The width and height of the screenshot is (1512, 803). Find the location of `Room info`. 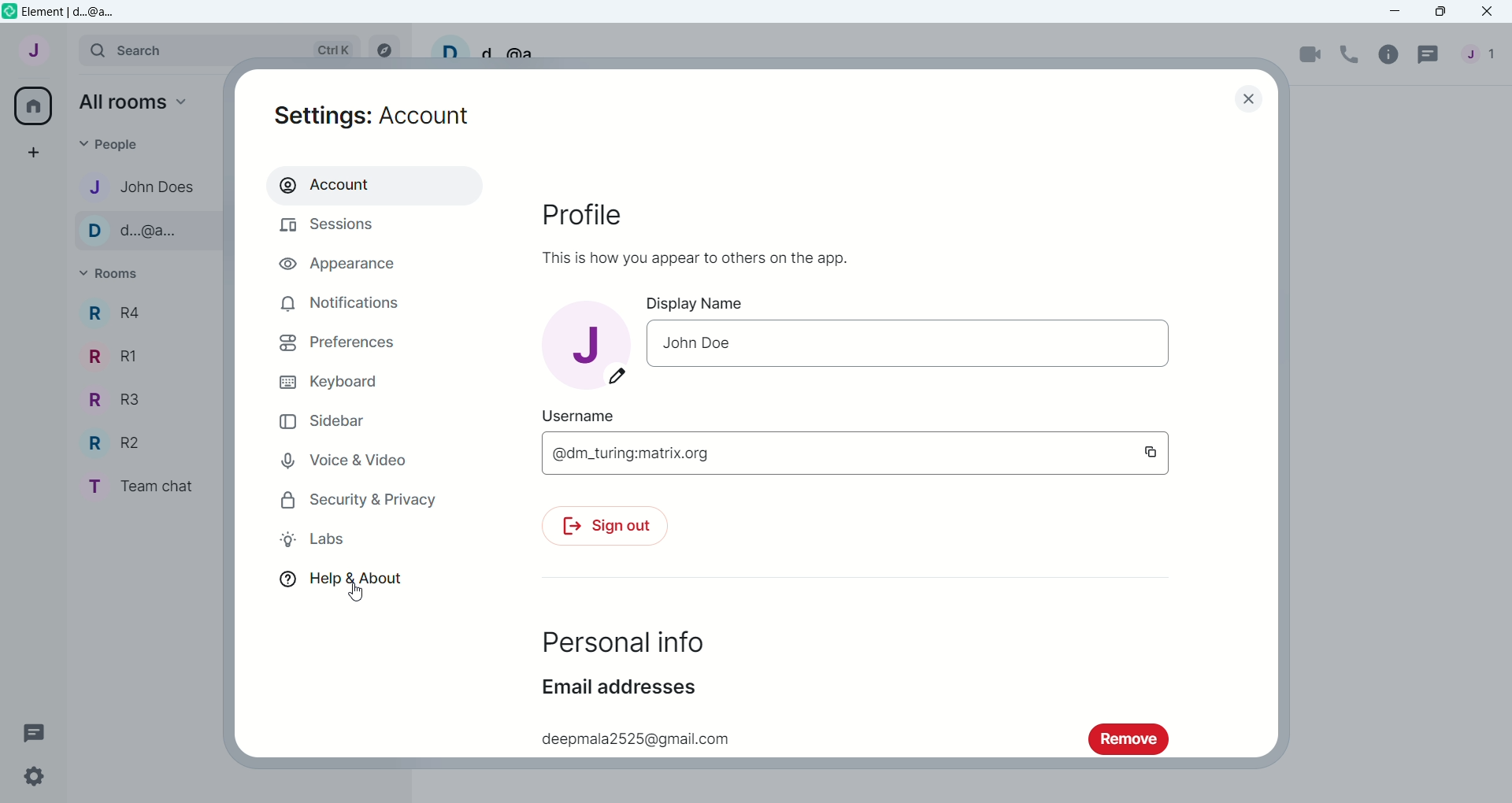

Room info is located at coordinates (1391, 54).